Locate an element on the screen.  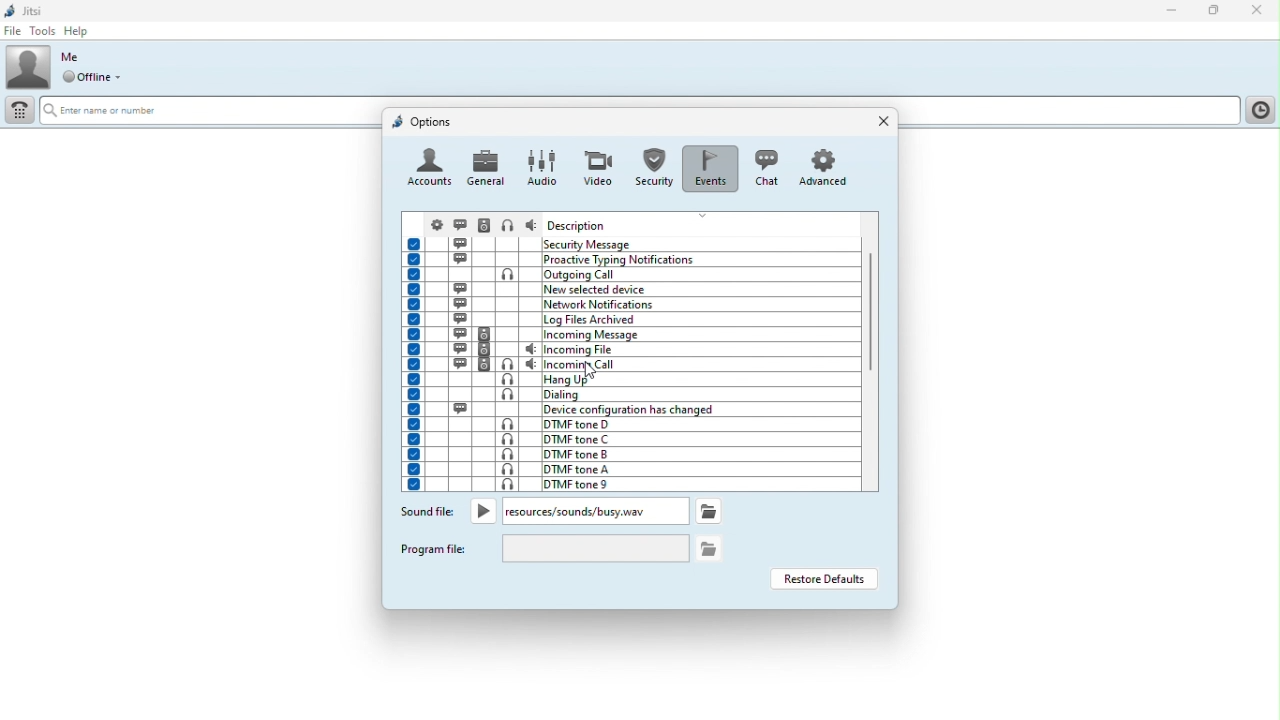
Chat is located at coordinates (764, 166).